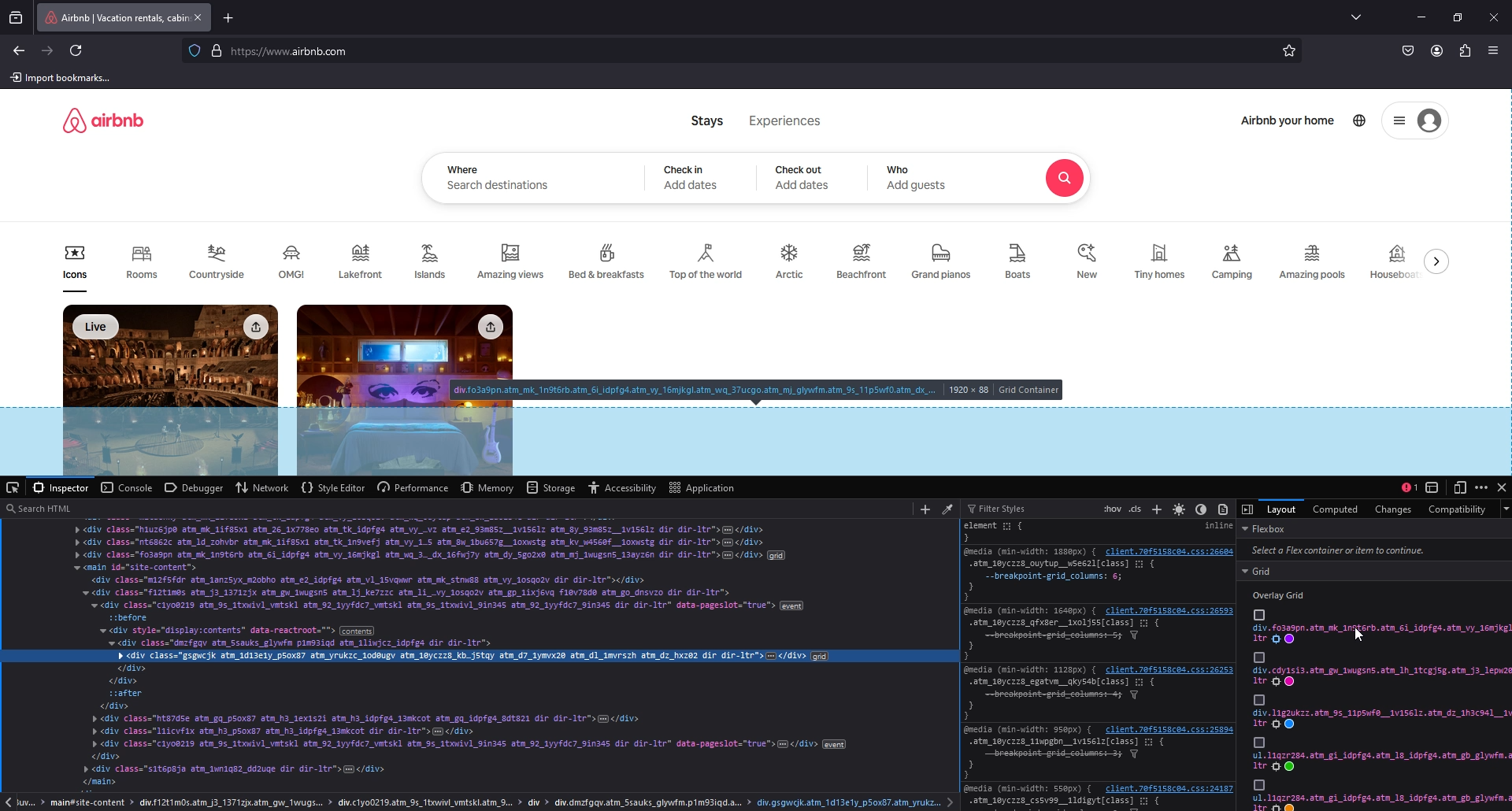 The height and width of the screenshot is (811, 1512). I want to click on inline, so click(1217, 526).